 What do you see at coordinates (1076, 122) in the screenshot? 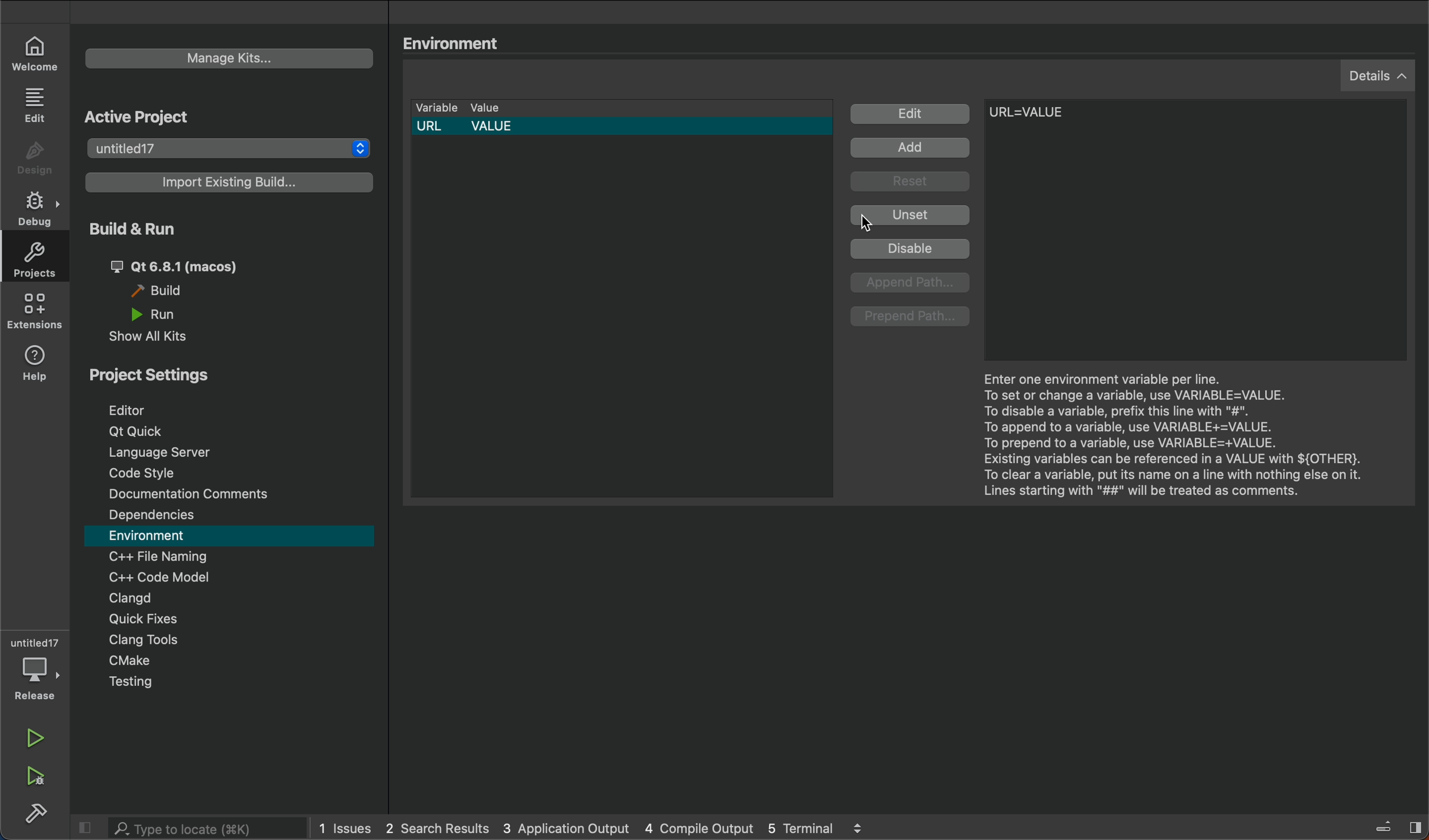
I see `new variables ` at bounding box center [1076, 122].